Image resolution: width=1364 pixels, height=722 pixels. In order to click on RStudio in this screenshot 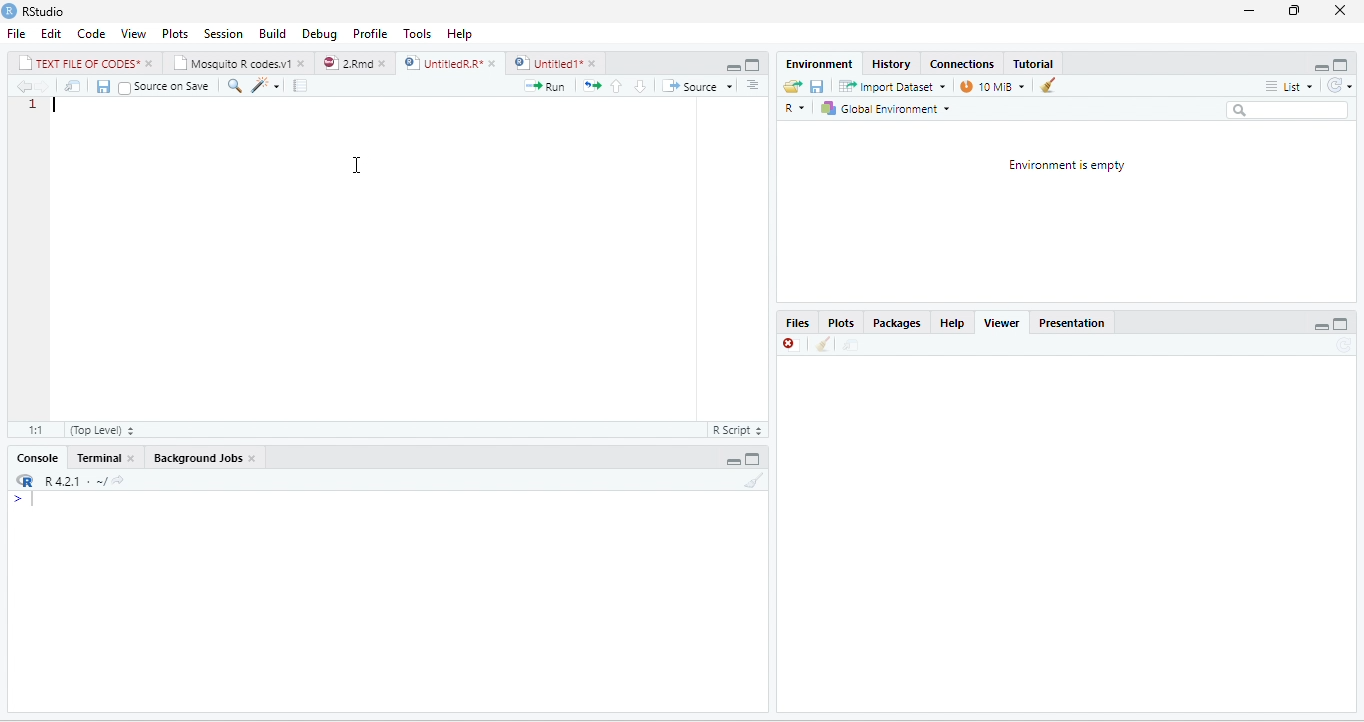, I will do `click(50, 12)`.